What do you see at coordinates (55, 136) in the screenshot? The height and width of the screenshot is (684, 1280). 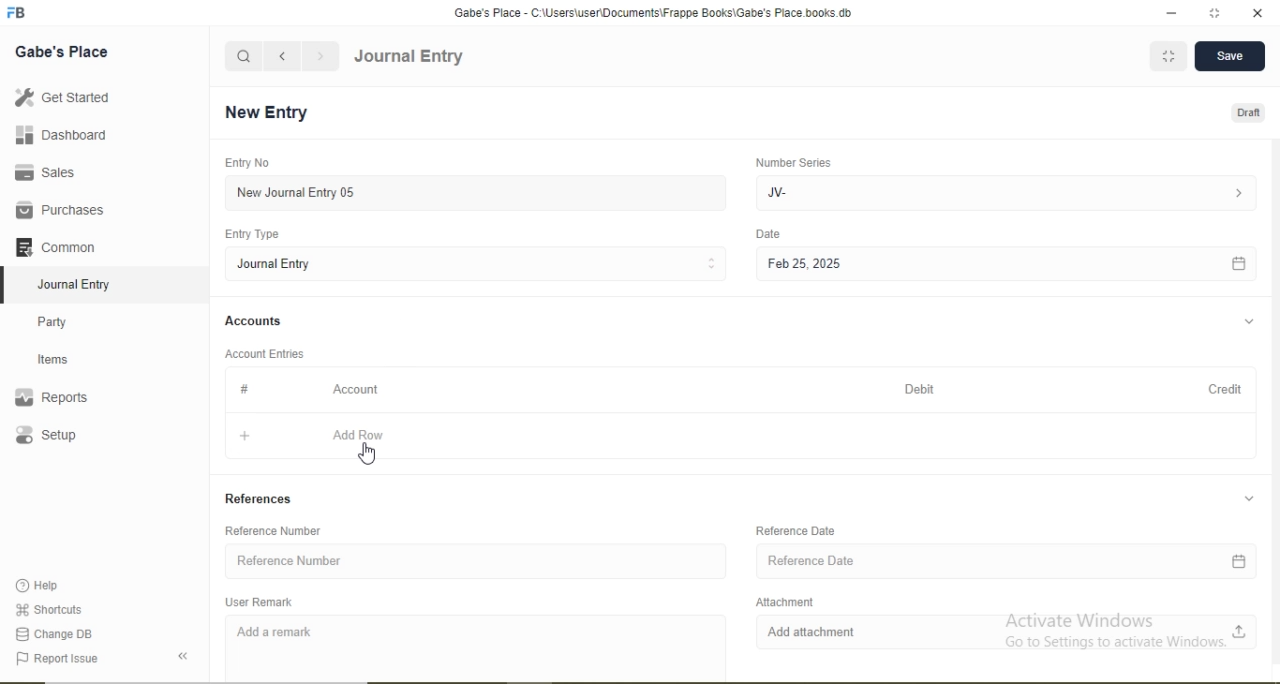 I see `Dashboard` at bounding box center [55, 136].